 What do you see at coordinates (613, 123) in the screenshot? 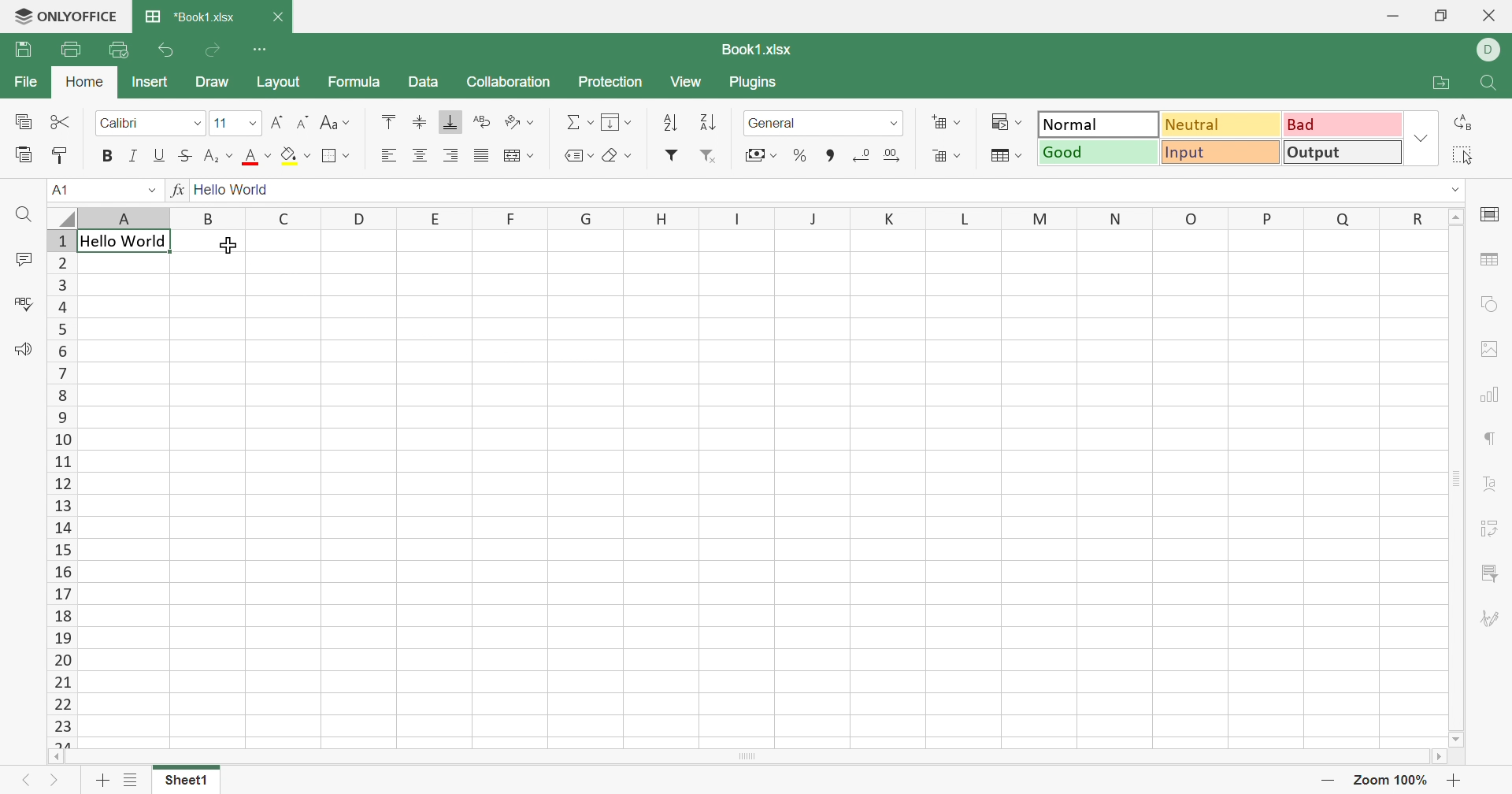
I see `Fill` at bounding box center [613, 123].